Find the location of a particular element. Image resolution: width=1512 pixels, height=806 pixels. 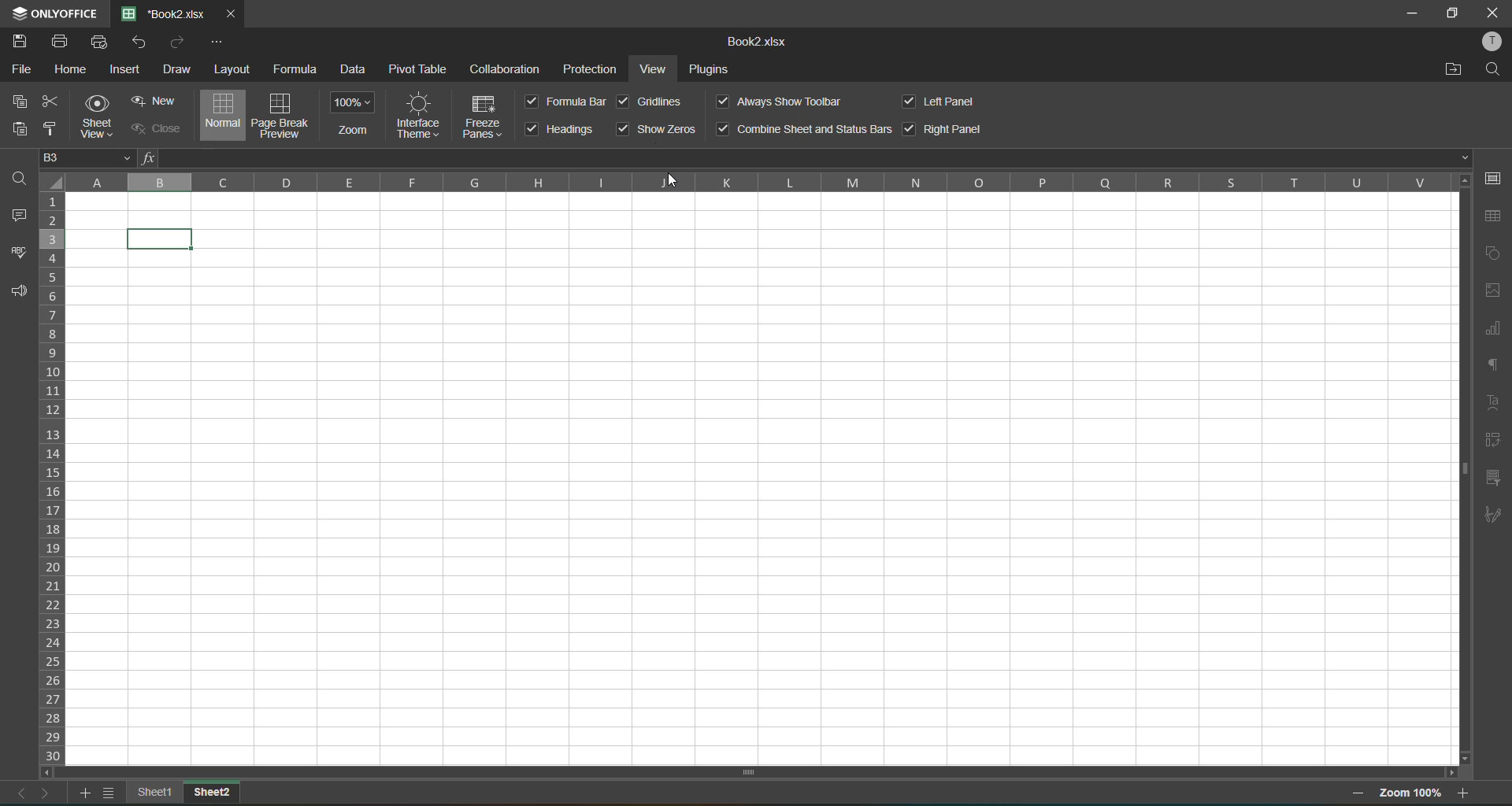

feedback is located at coordinates (19, 294).